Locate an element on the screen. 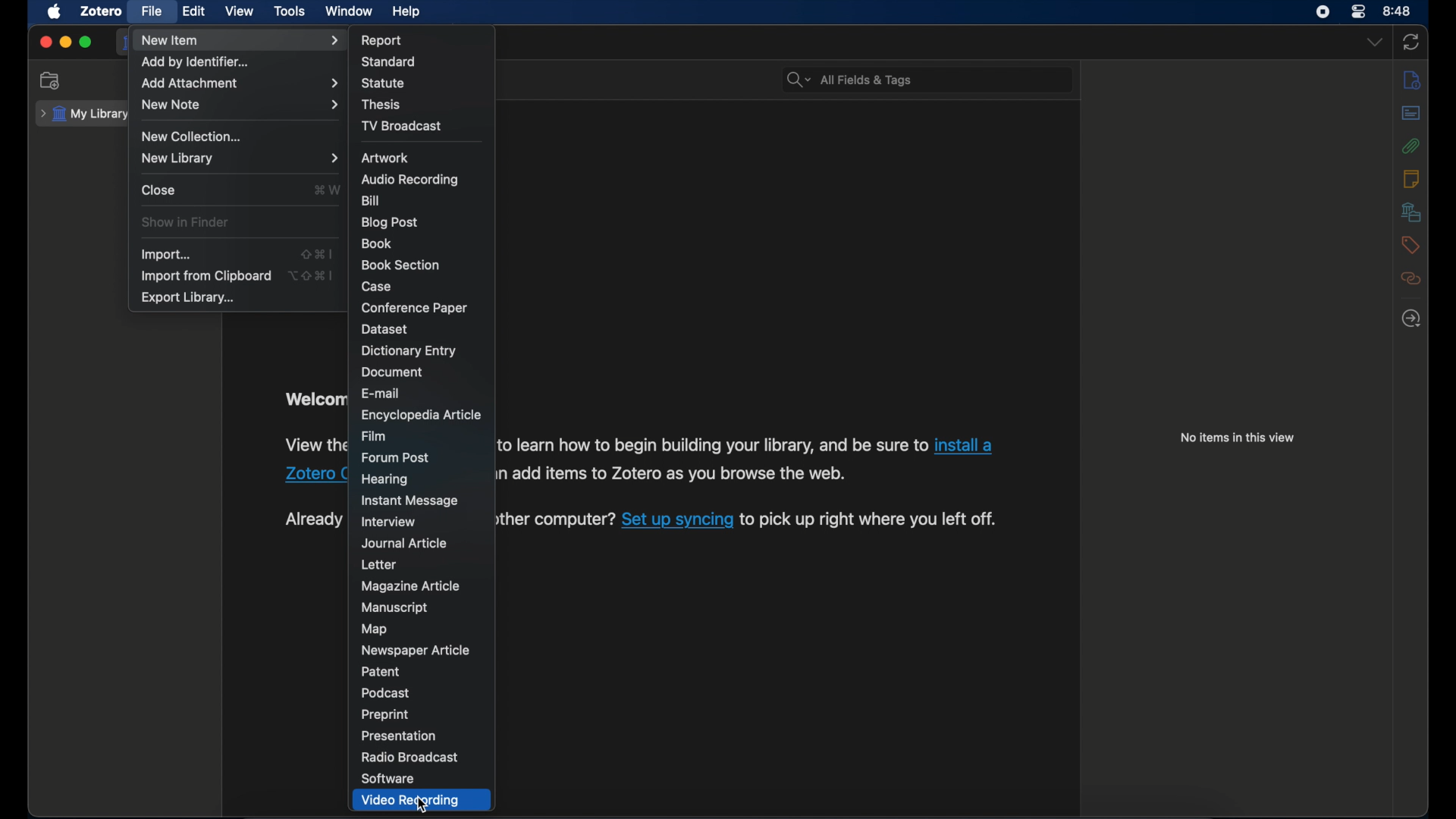 The width and height of the screenshot is (1456, 819). libraries is located at coordinates (1411, 212).